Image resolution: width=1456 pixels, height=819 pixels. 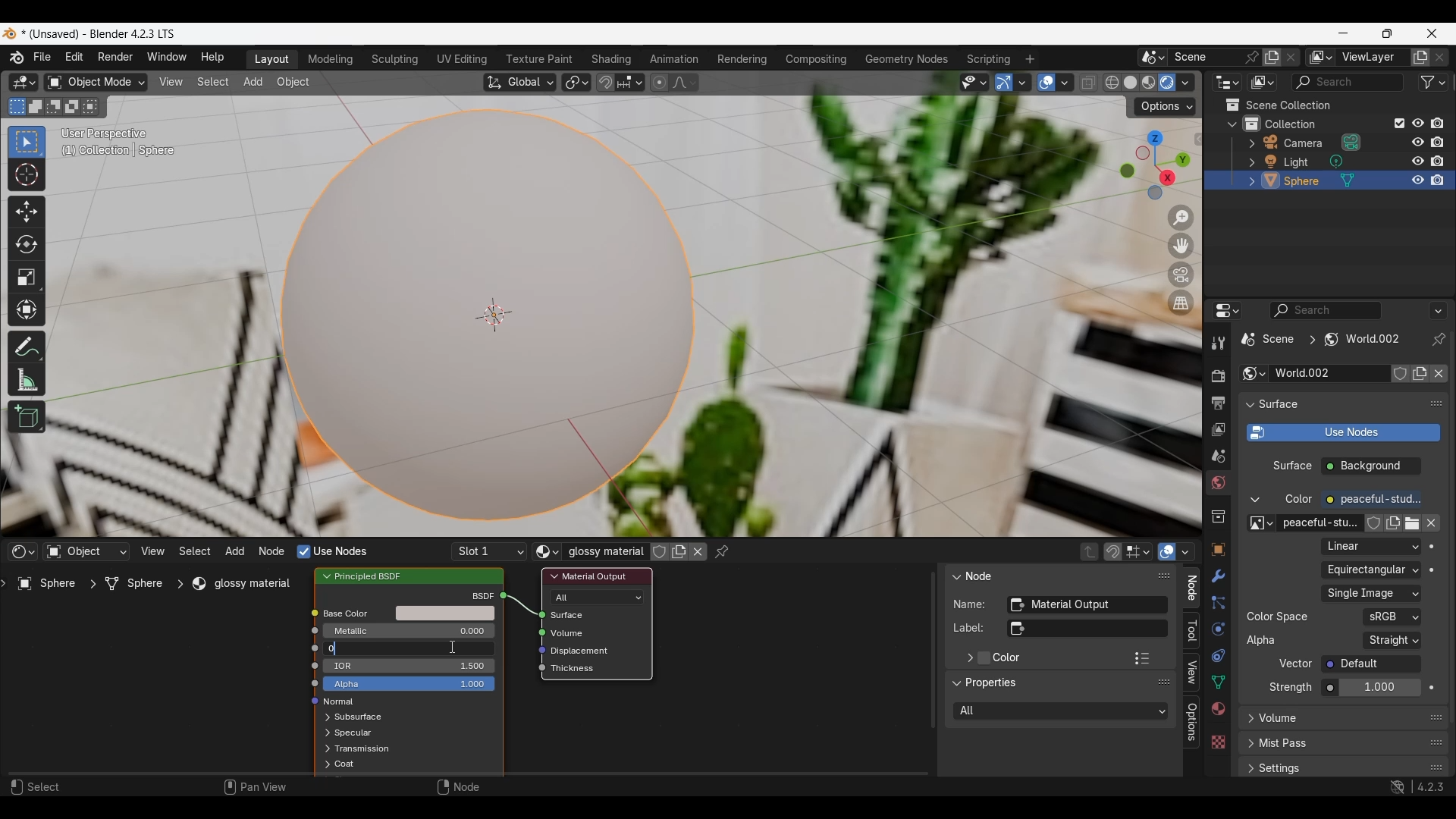 What do you see at coordinates (698, 551) in the screenshot?
I see `Unlink data block` at bounding box center [698, 551].